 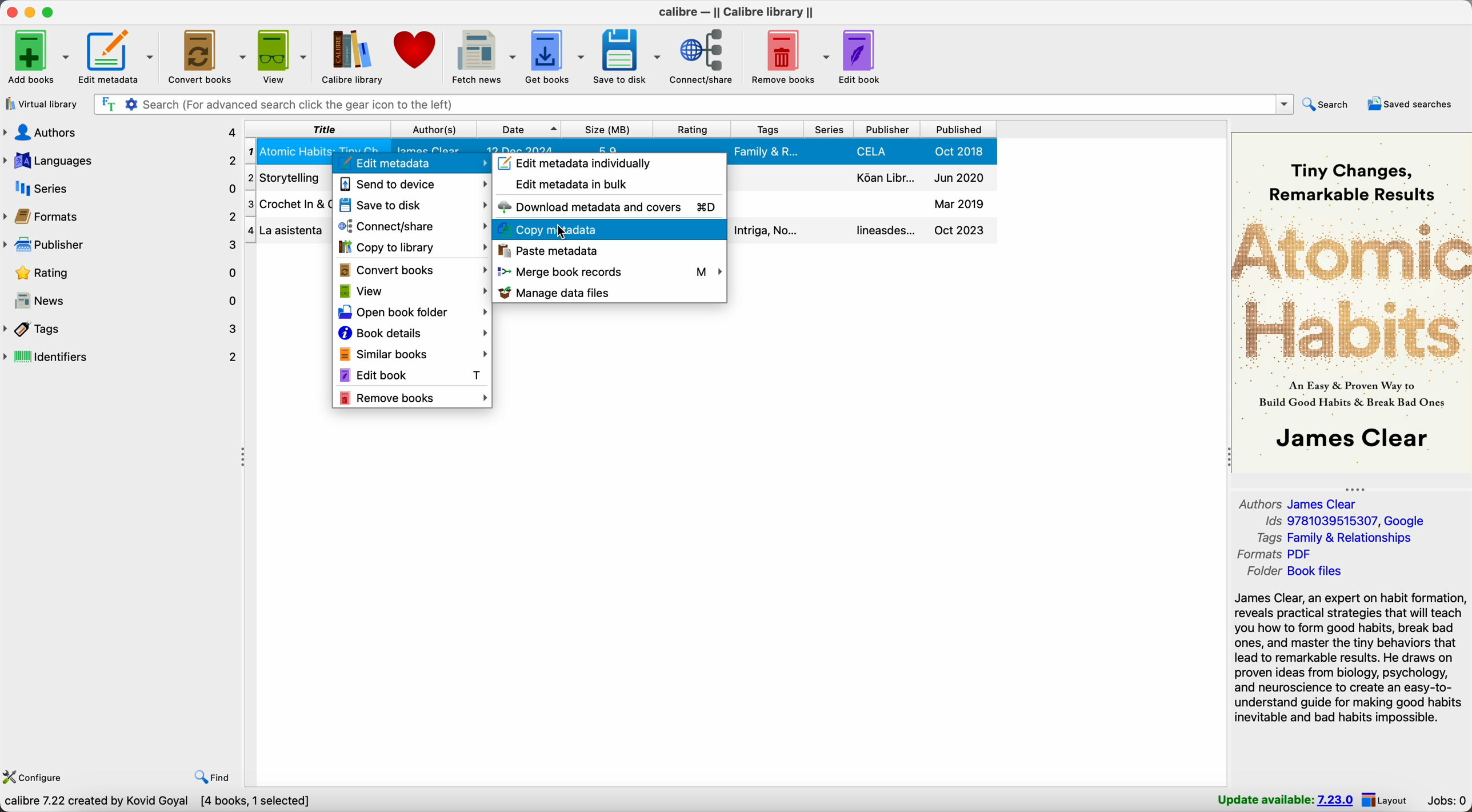 I want to click on series, so click(x=831, y=129).